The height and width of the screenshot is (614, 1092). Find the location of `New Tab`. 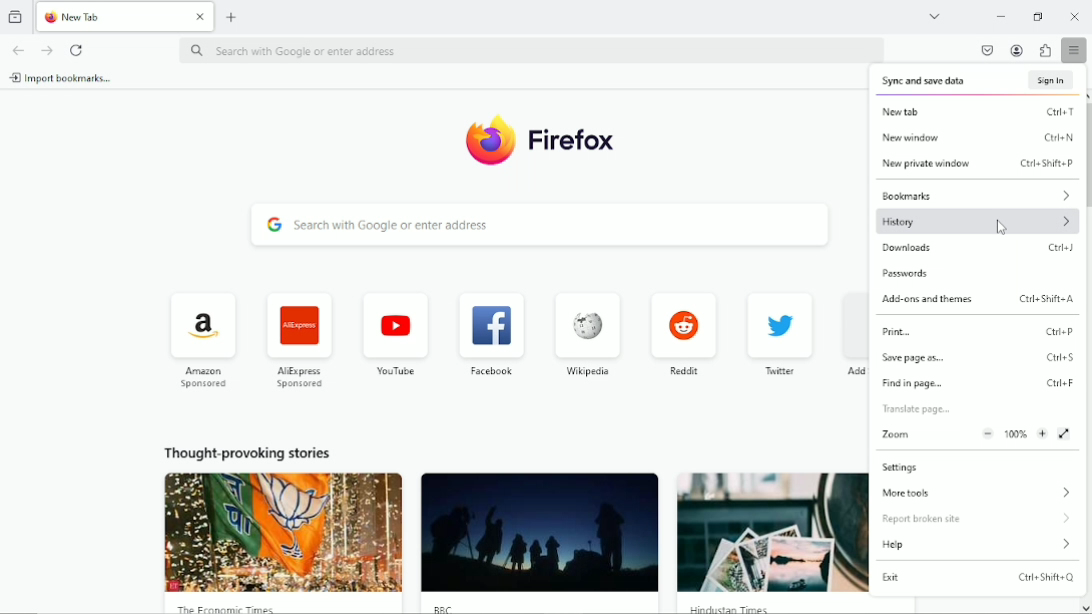

New Tab is located at coordinates (109, 16).